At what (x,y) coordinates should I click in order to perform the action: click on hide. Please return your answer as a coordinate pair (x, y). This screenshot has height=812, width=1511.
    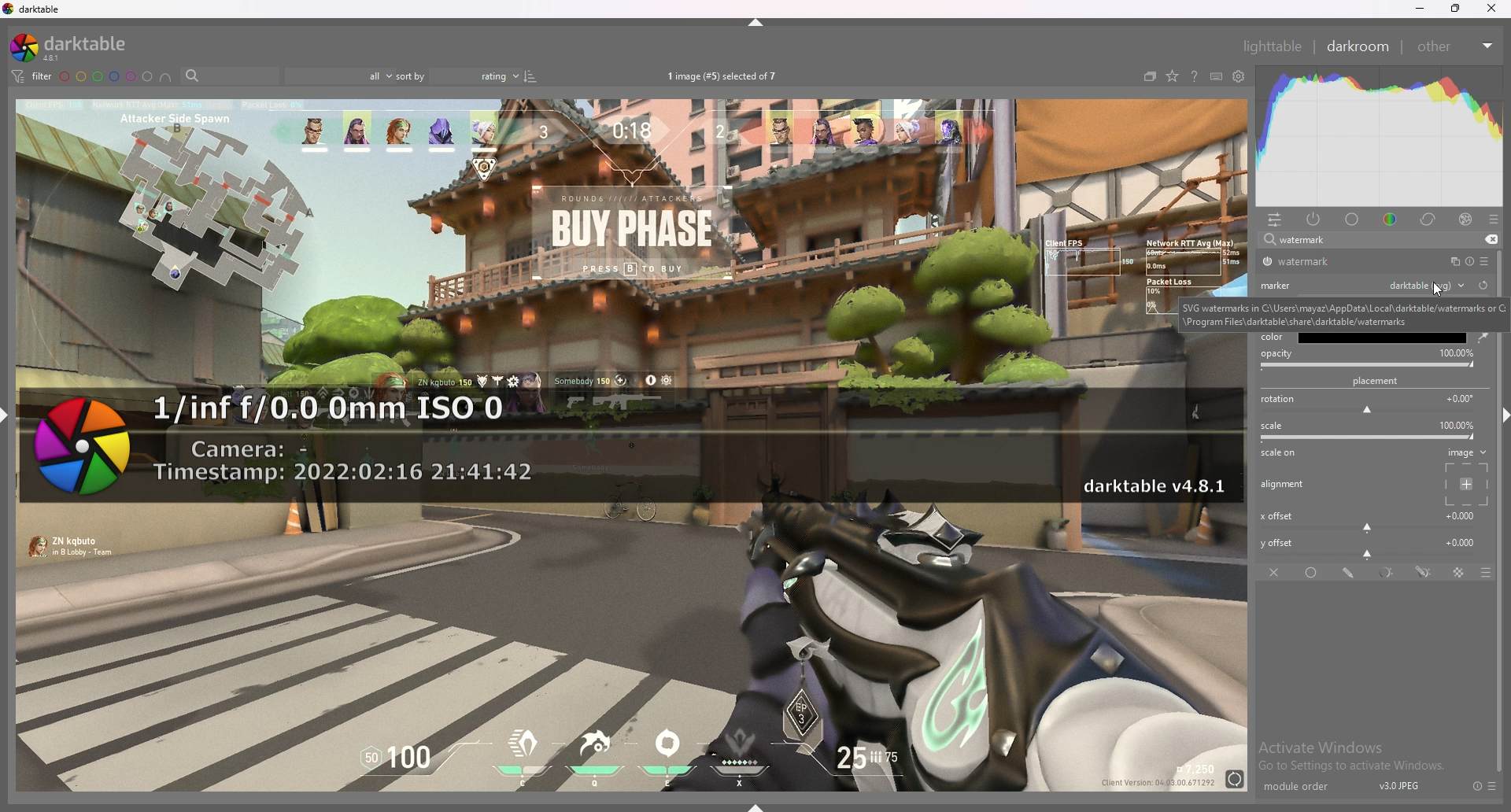
    Looking at the image, I should click on (758, 22).